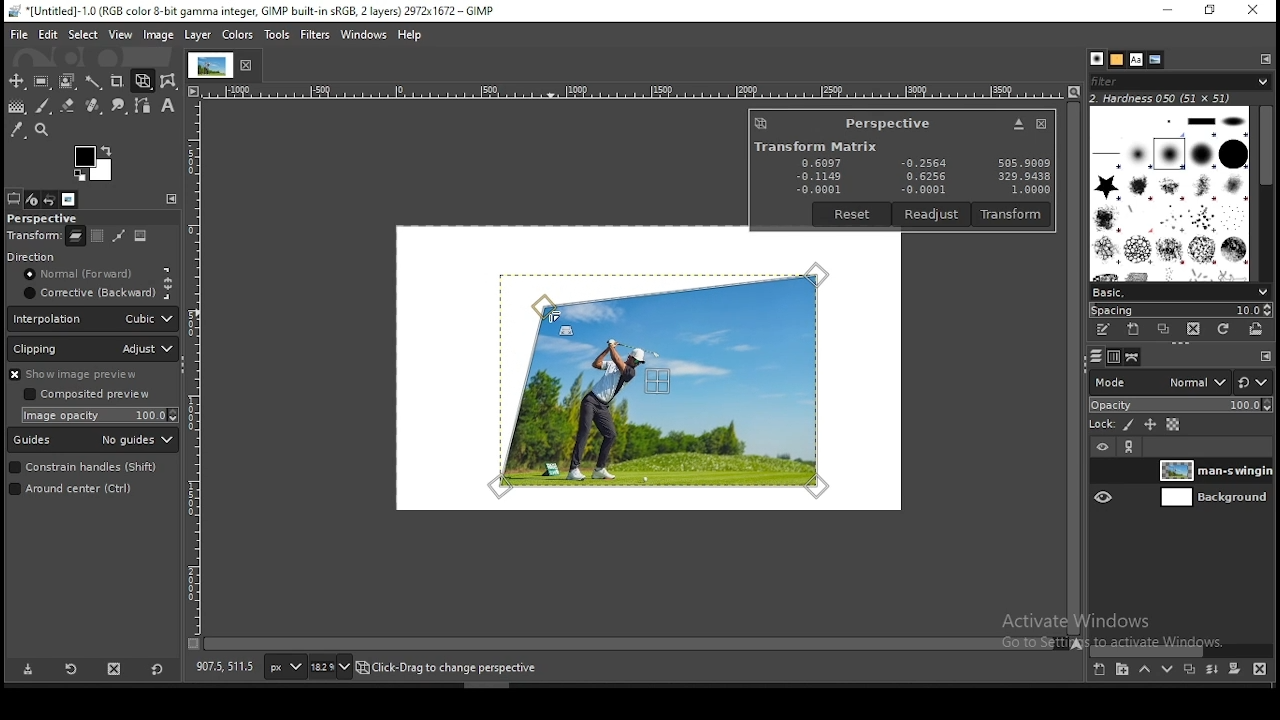 The image size is (1280, 720). I want to click on create a new brush, so click(1132, 330).